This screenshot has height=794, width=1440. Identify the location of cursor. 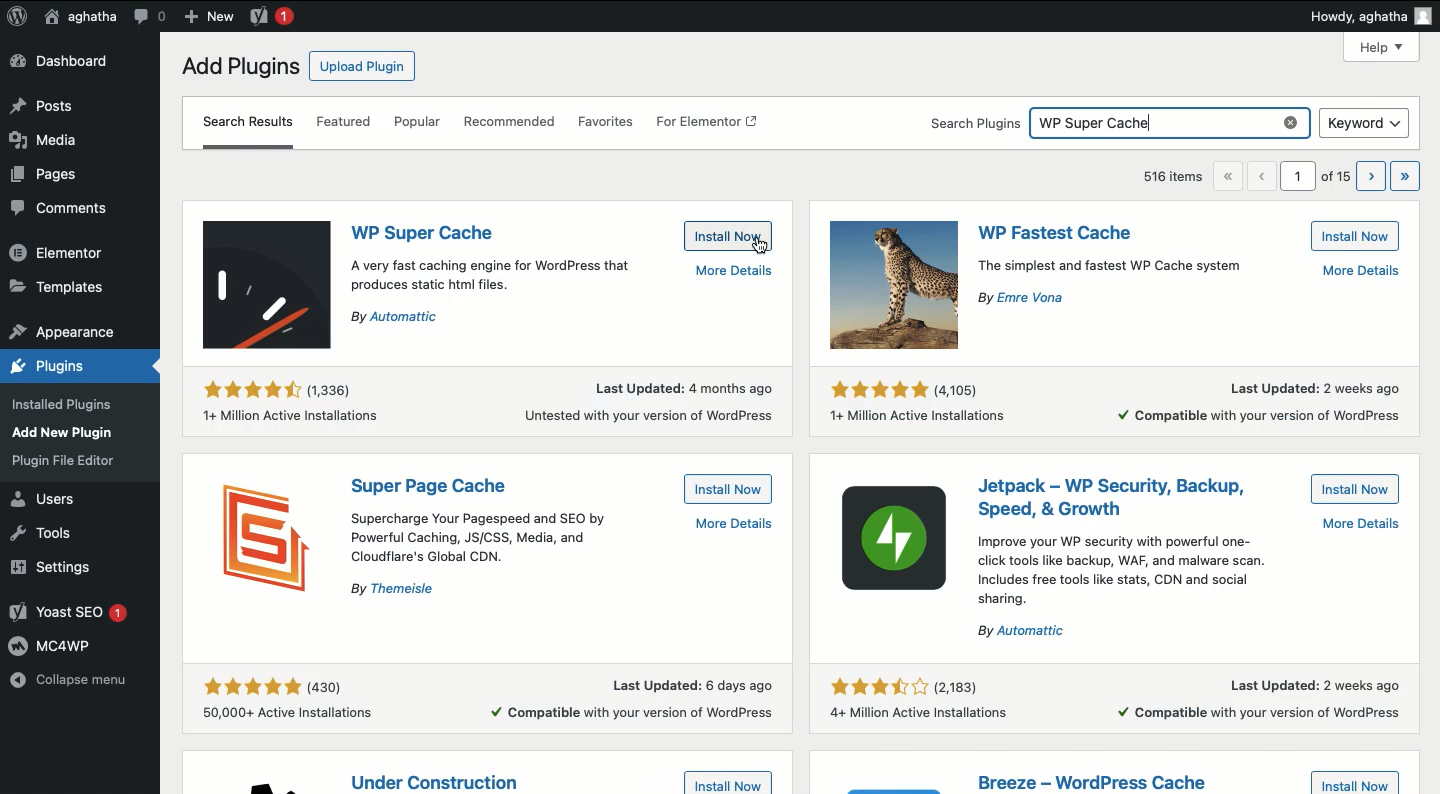
(755, 245).